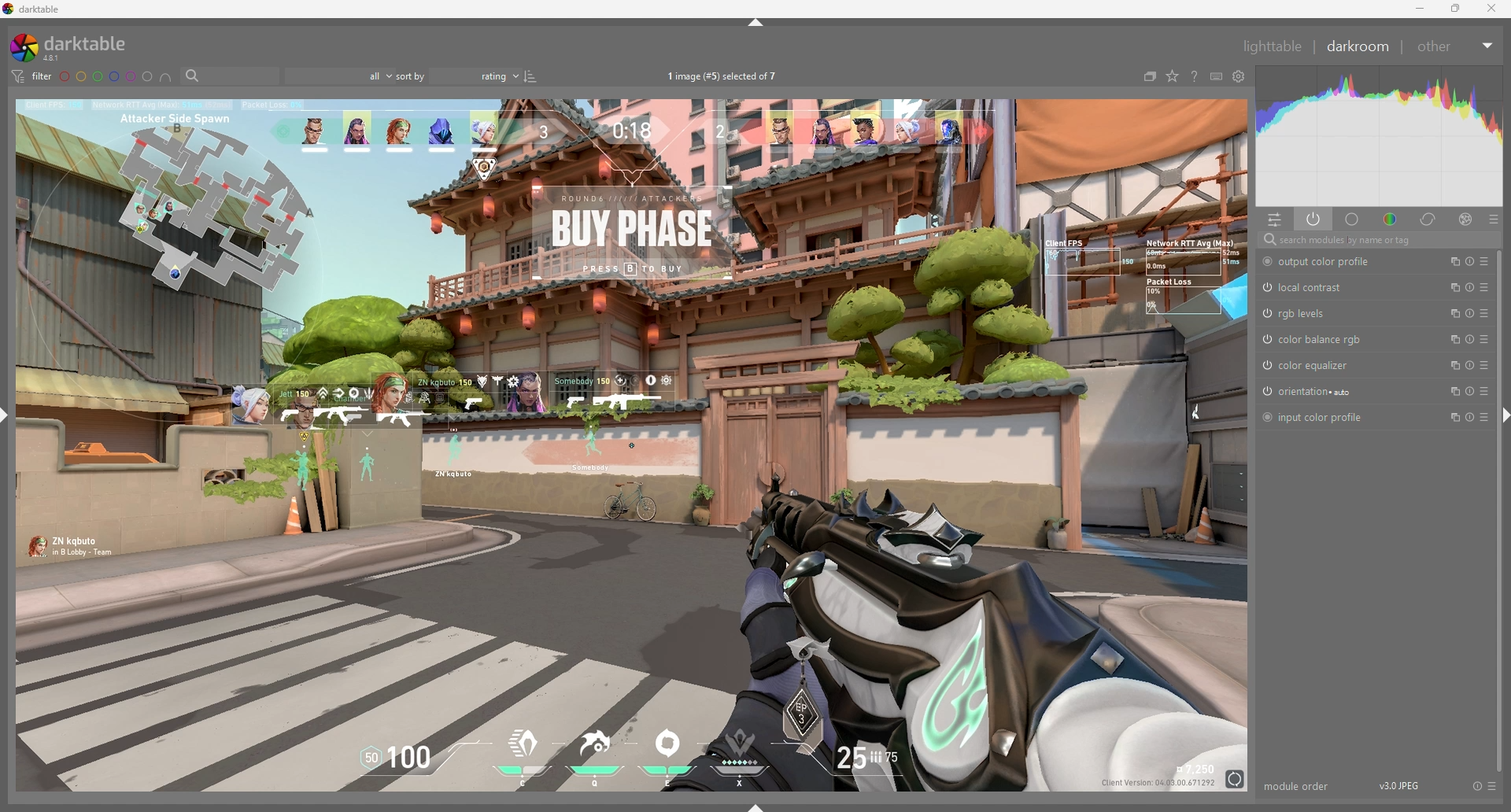  Describe the element at coordinates (1456, 9) in the screenshot. I see `resize` at that location.